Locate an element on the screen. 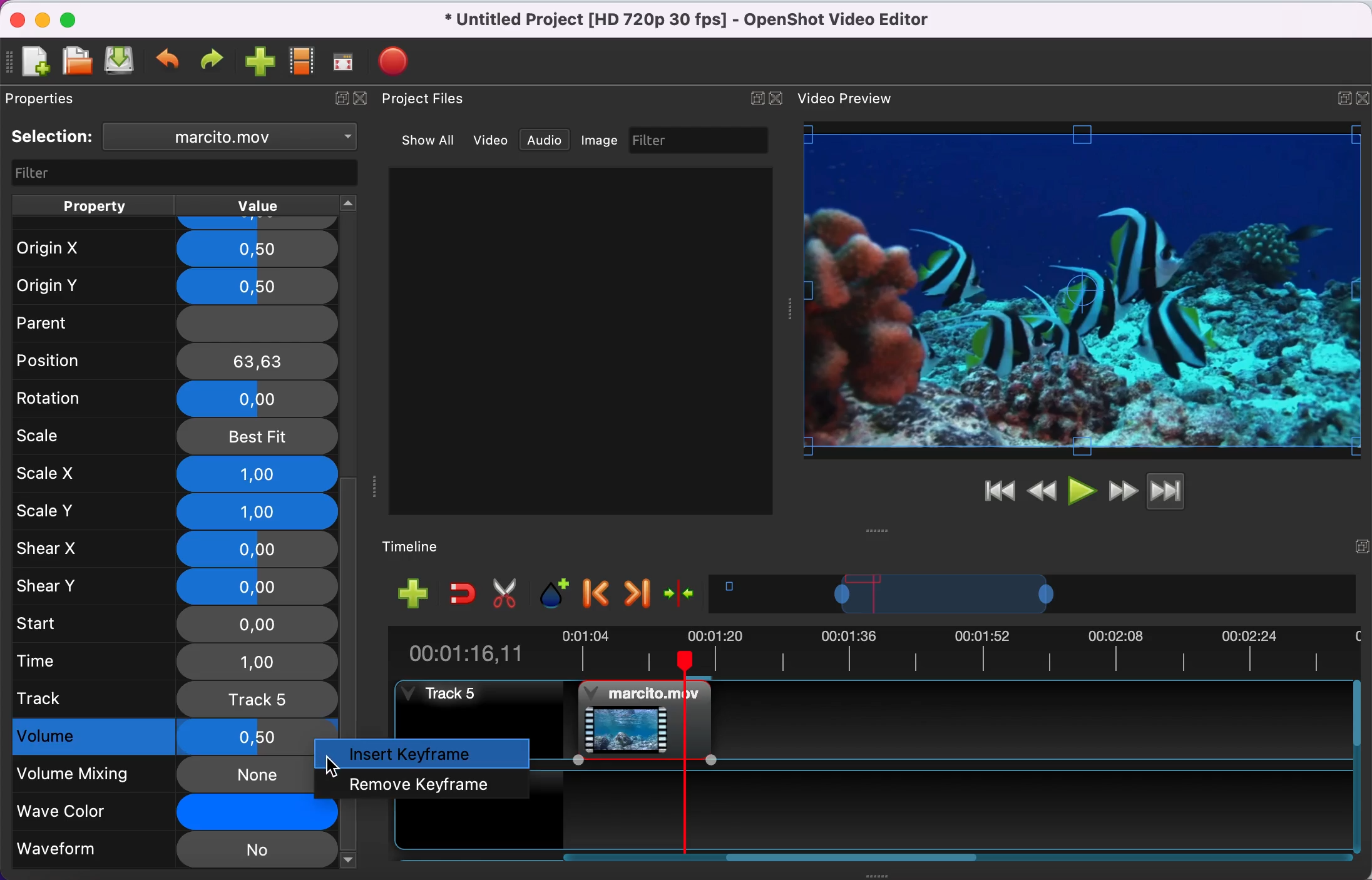 The width and height of the screenshot is (1372, 880). cursor is located at coordinates (331, 767).